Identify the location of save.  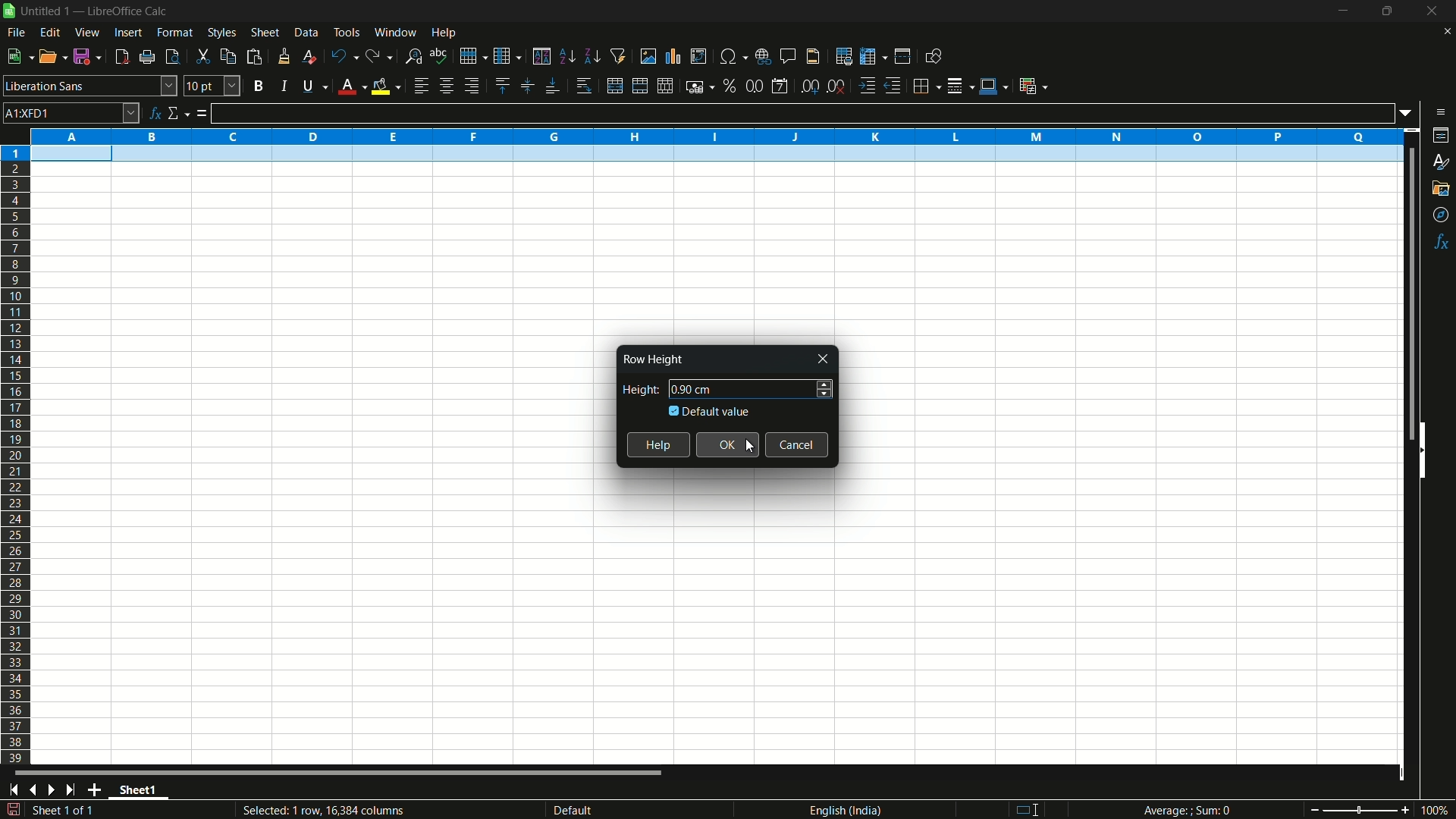
(13, 810).